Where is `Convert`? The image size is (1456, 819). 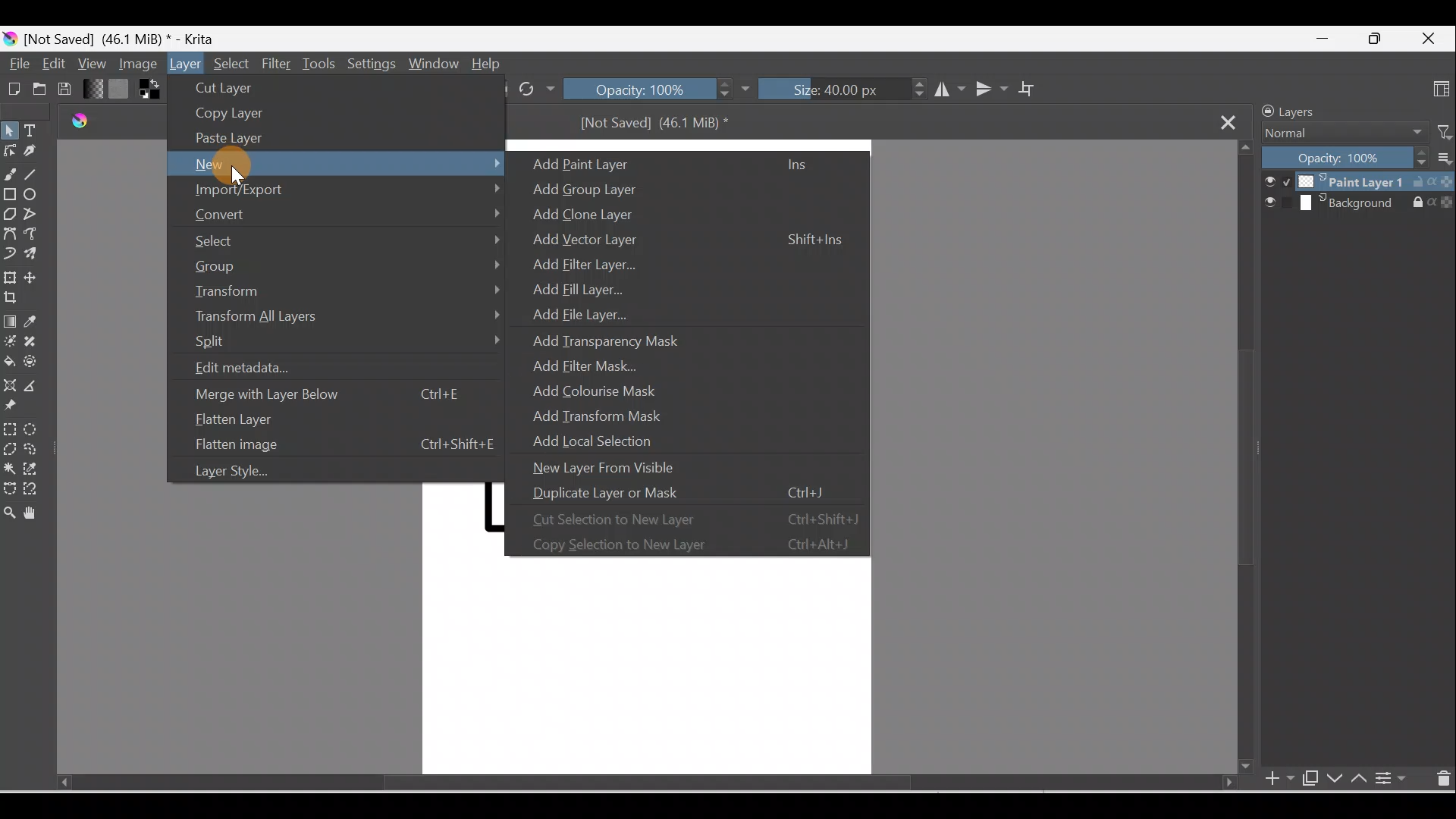
Convert is located at coordinates (343, 213).